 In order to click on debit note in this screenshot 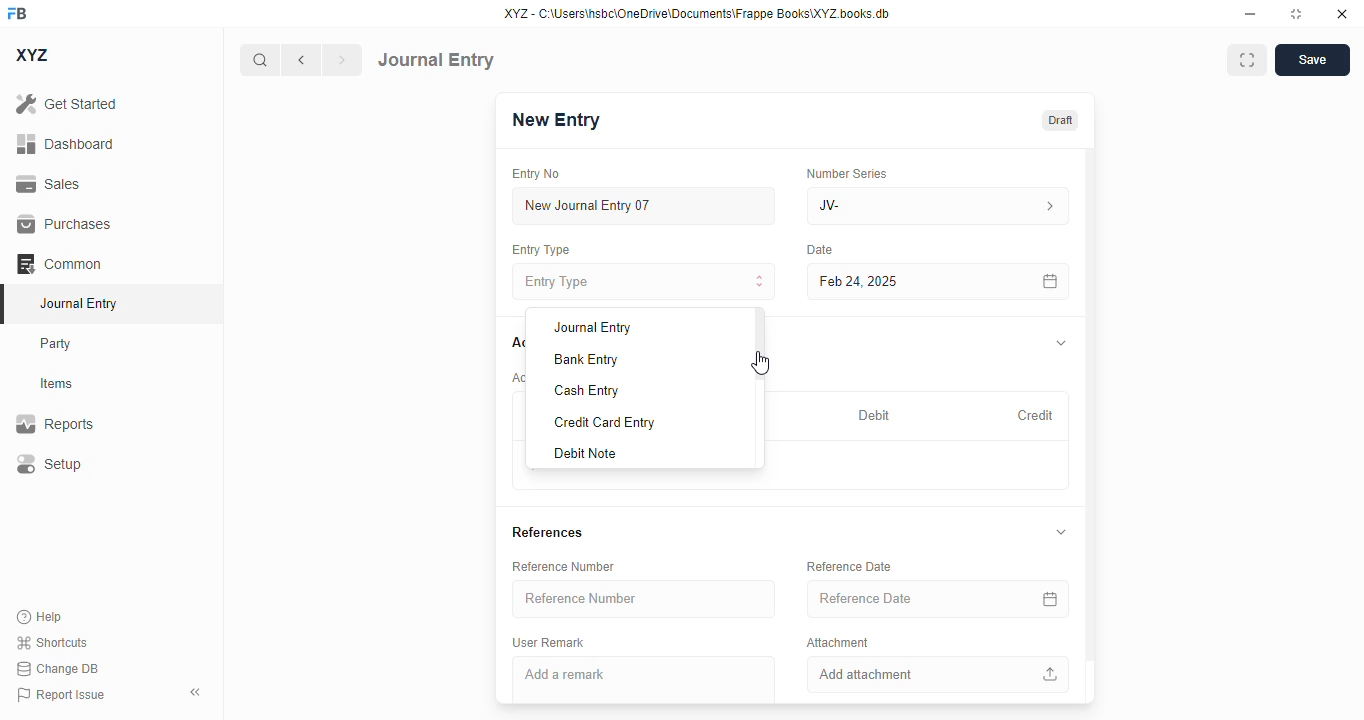, I will do `click(585, 454)`.